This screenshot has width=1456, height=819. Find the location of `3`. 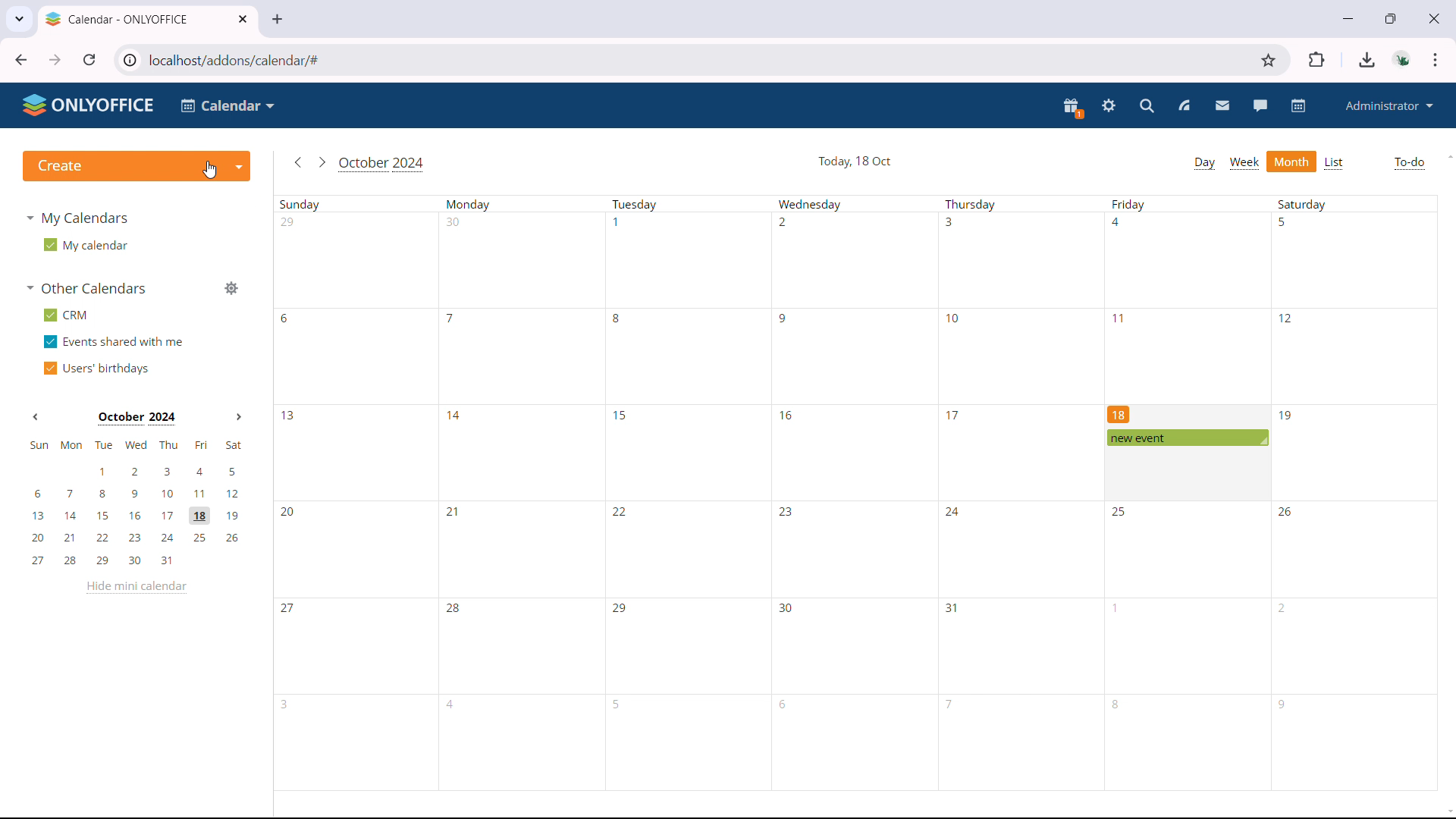

3 is located at coordinates (288, 704).